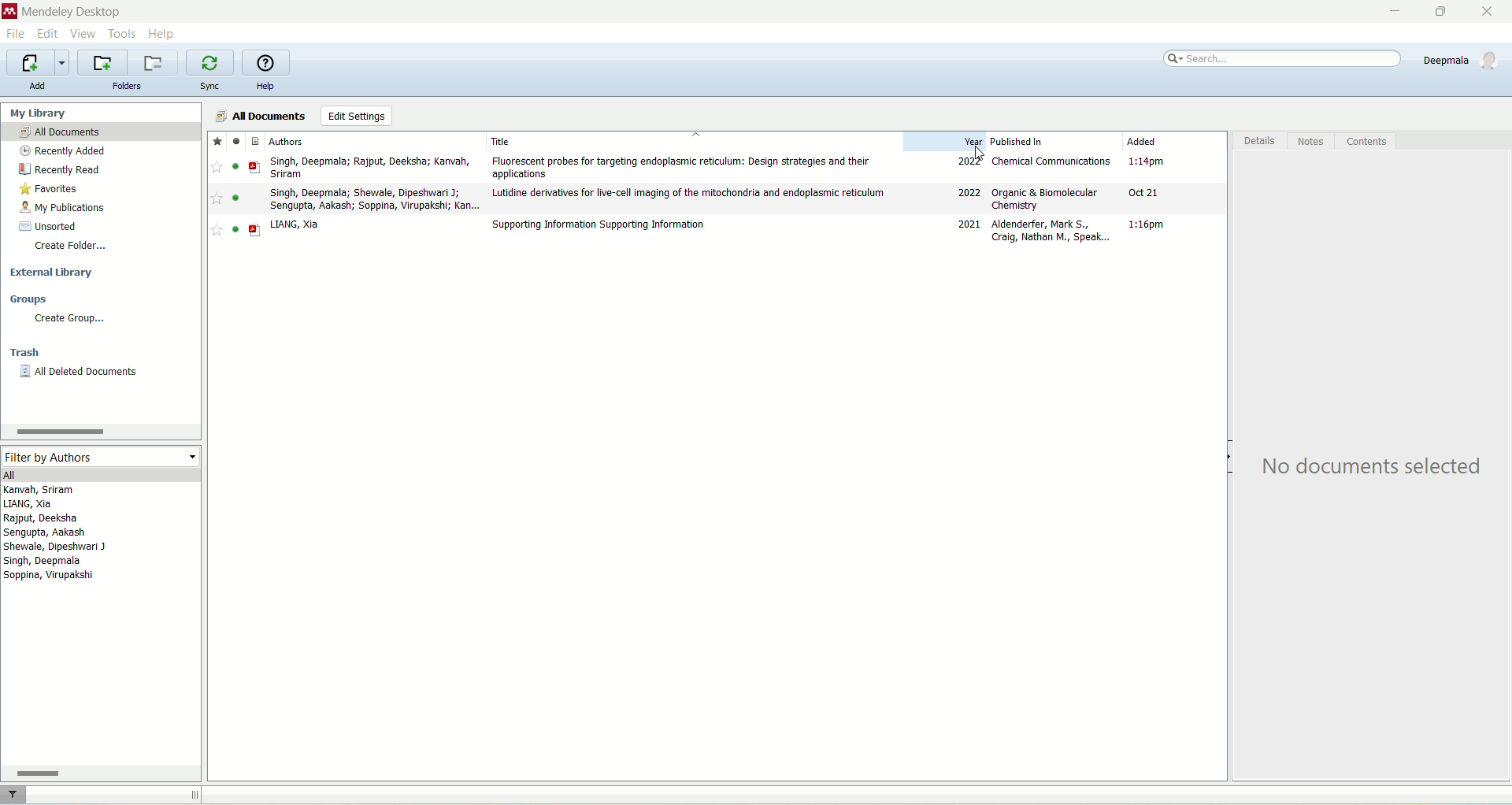 The image size is (1512, 805). What do you see at coordinates (969, 224) in the screenshot?
I see `2021` at bounding box center [969, 224].